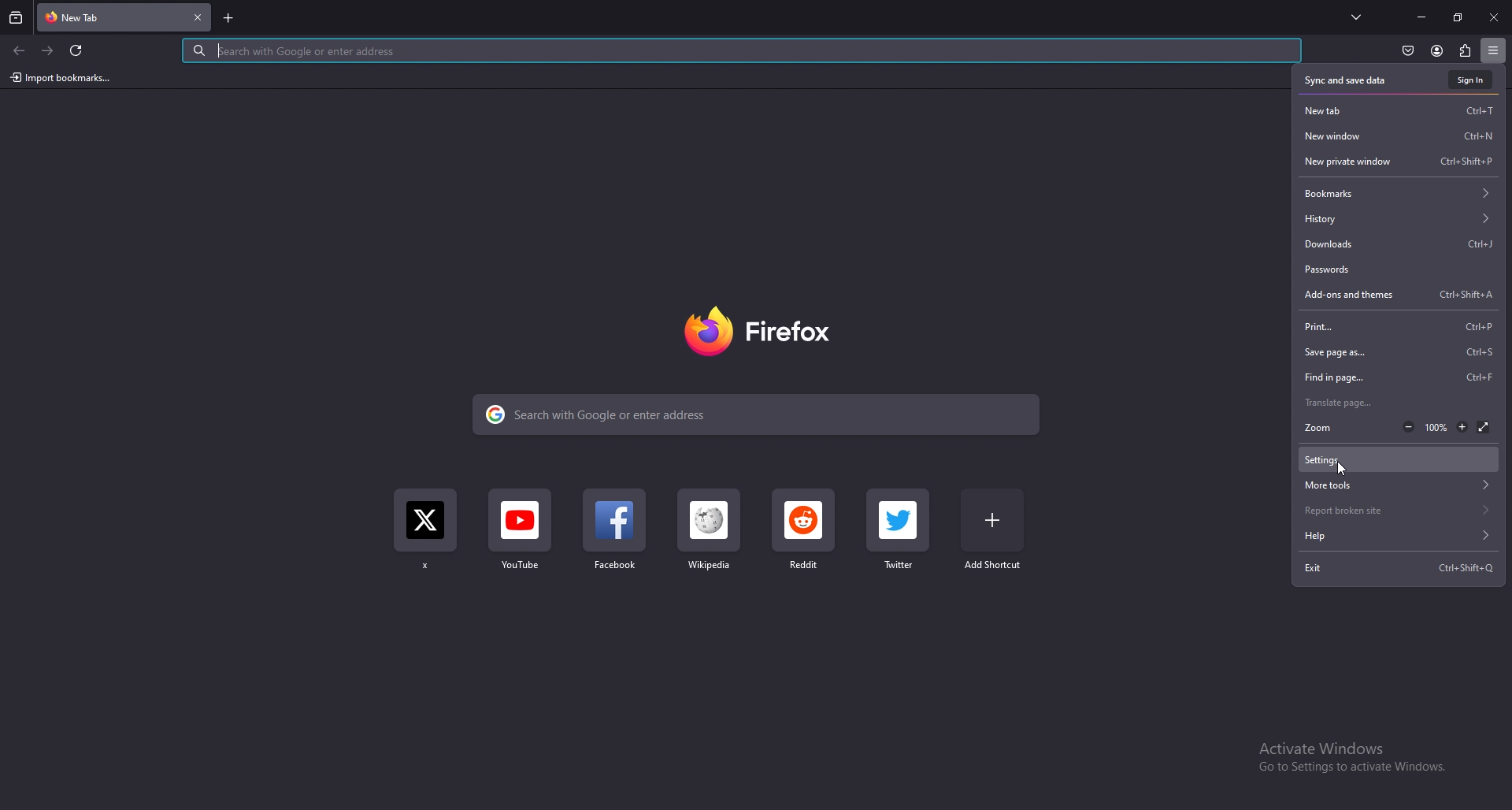  Describe the element at coordinates (1436, 50) in the screenshot. I see `account` at that location.